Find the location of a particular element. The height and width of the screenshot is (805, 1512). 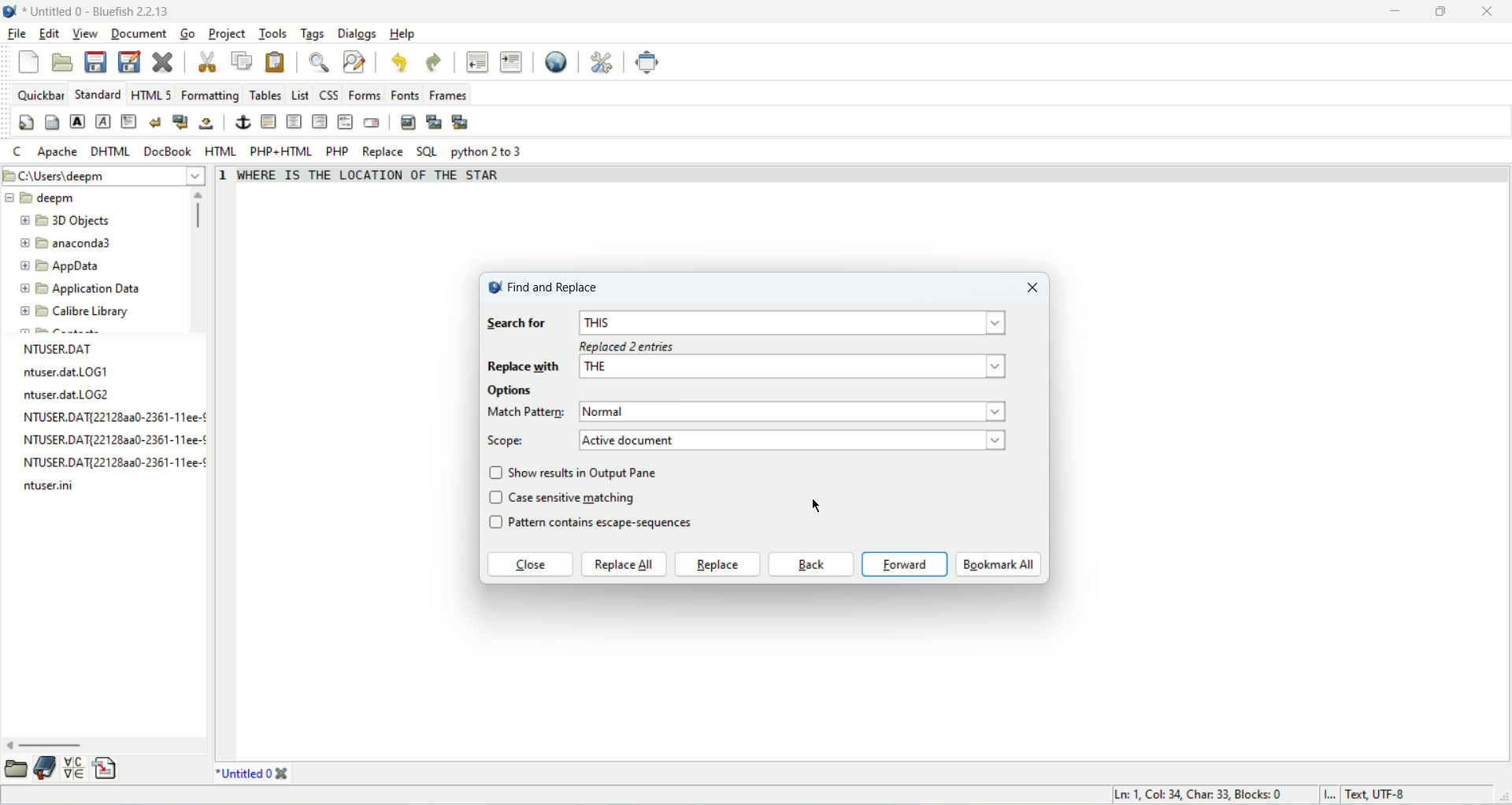

insert image is located at coordinates (406, 123).